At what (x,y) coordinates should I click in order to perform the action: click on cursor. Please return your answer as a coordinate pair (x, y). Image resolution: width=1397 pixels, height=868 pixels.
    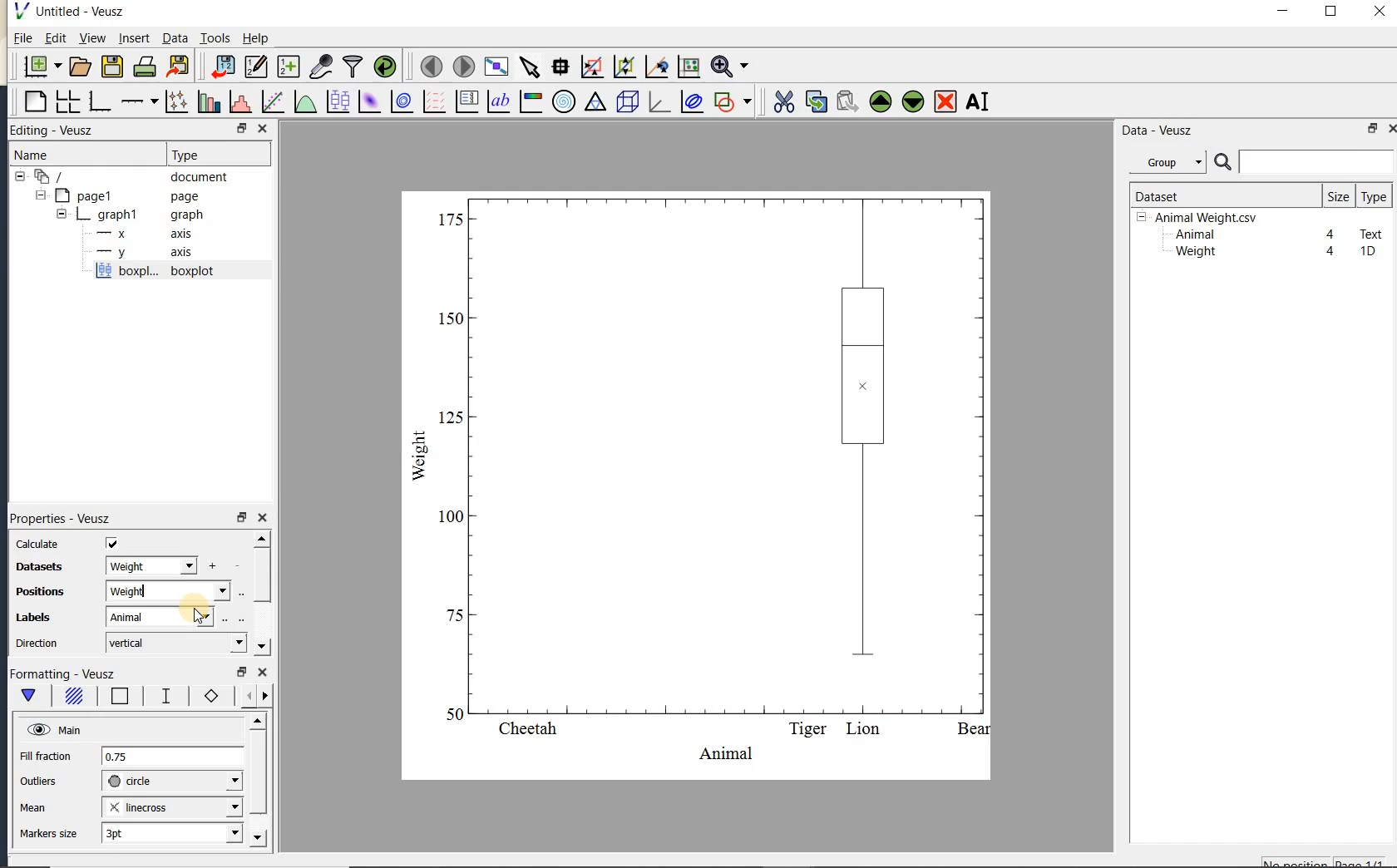
    Looking at the image, I should click on (201, 618).